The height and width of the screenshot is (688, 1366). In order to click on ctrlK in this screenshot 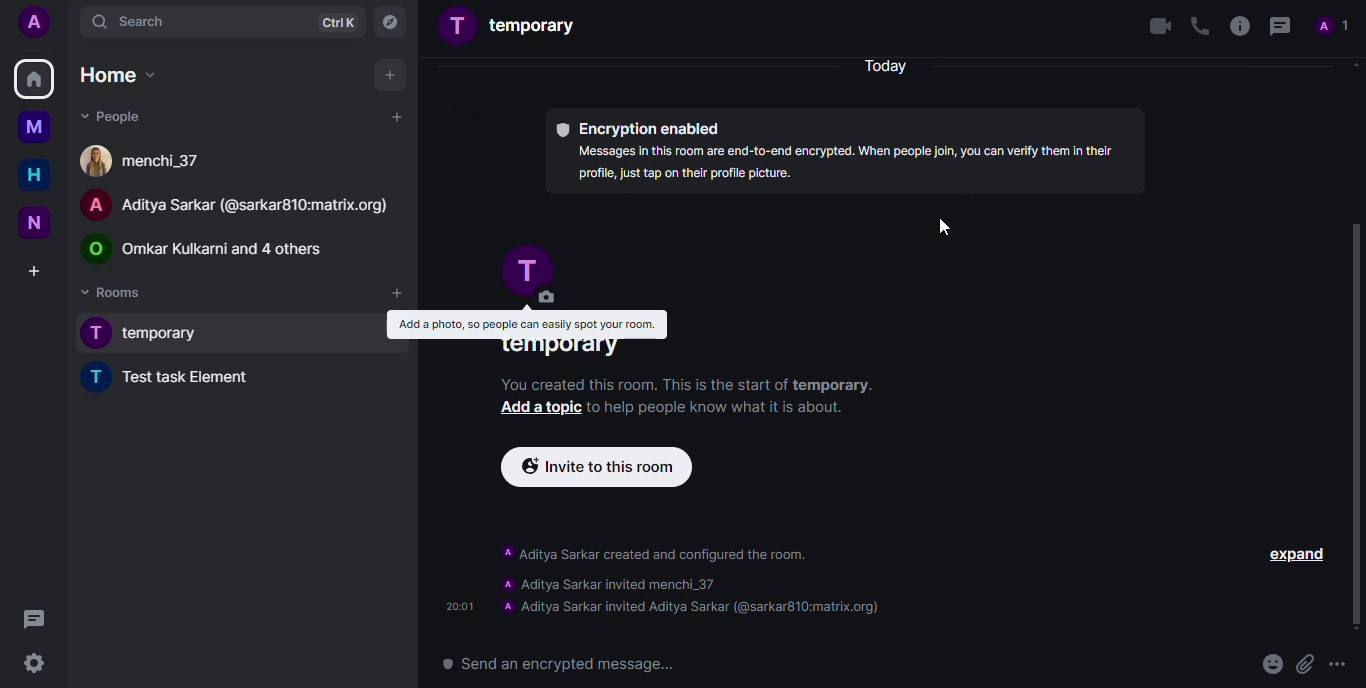, I will do `click(334, 20)`.